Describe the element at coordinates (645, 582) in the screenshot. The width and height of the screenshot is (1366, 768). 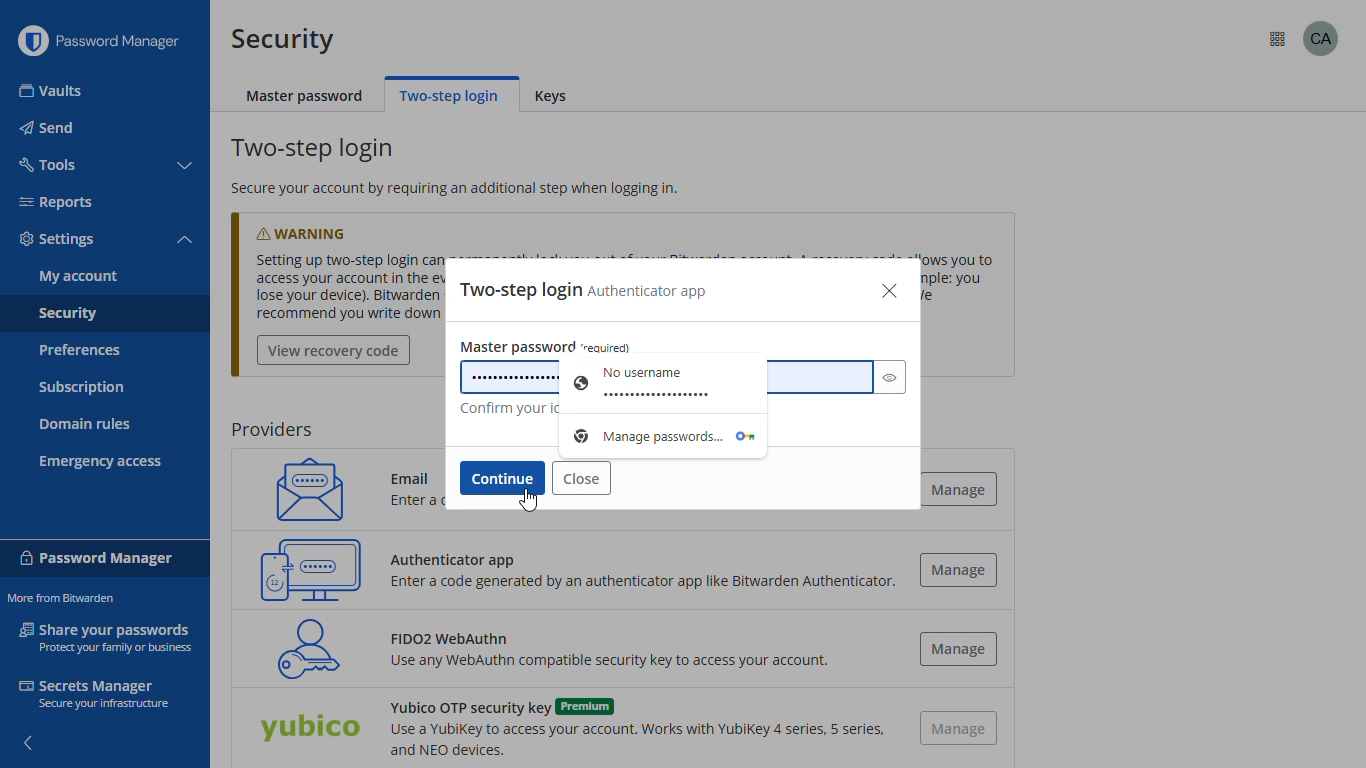
I see `Enter a code generated by an authenticator app like Bitwarden Authenticator.` at that location.